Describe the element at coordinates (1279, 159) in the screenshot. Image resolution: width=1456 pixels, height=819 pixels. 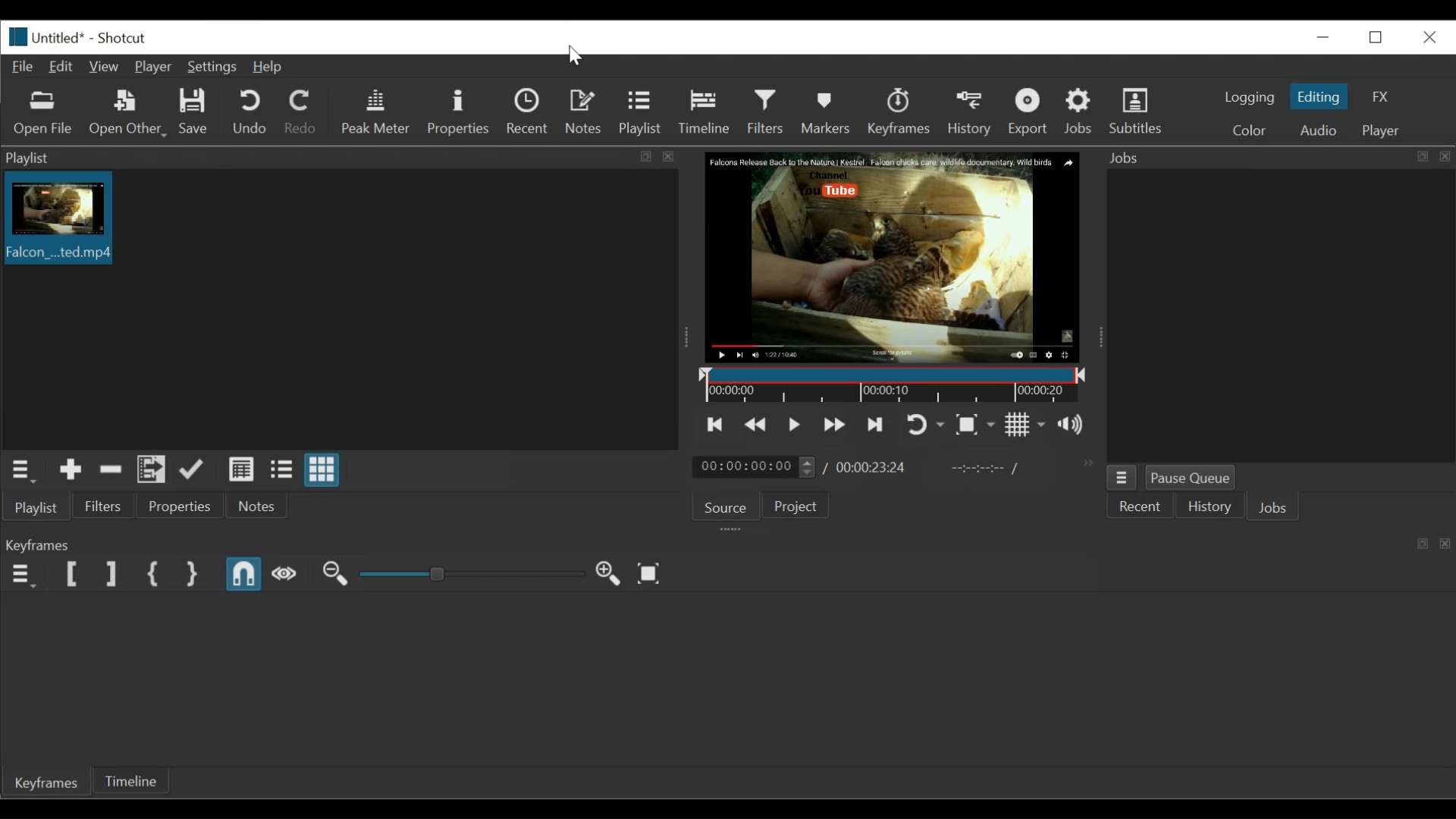
I see `Jobs Panel` at that location.